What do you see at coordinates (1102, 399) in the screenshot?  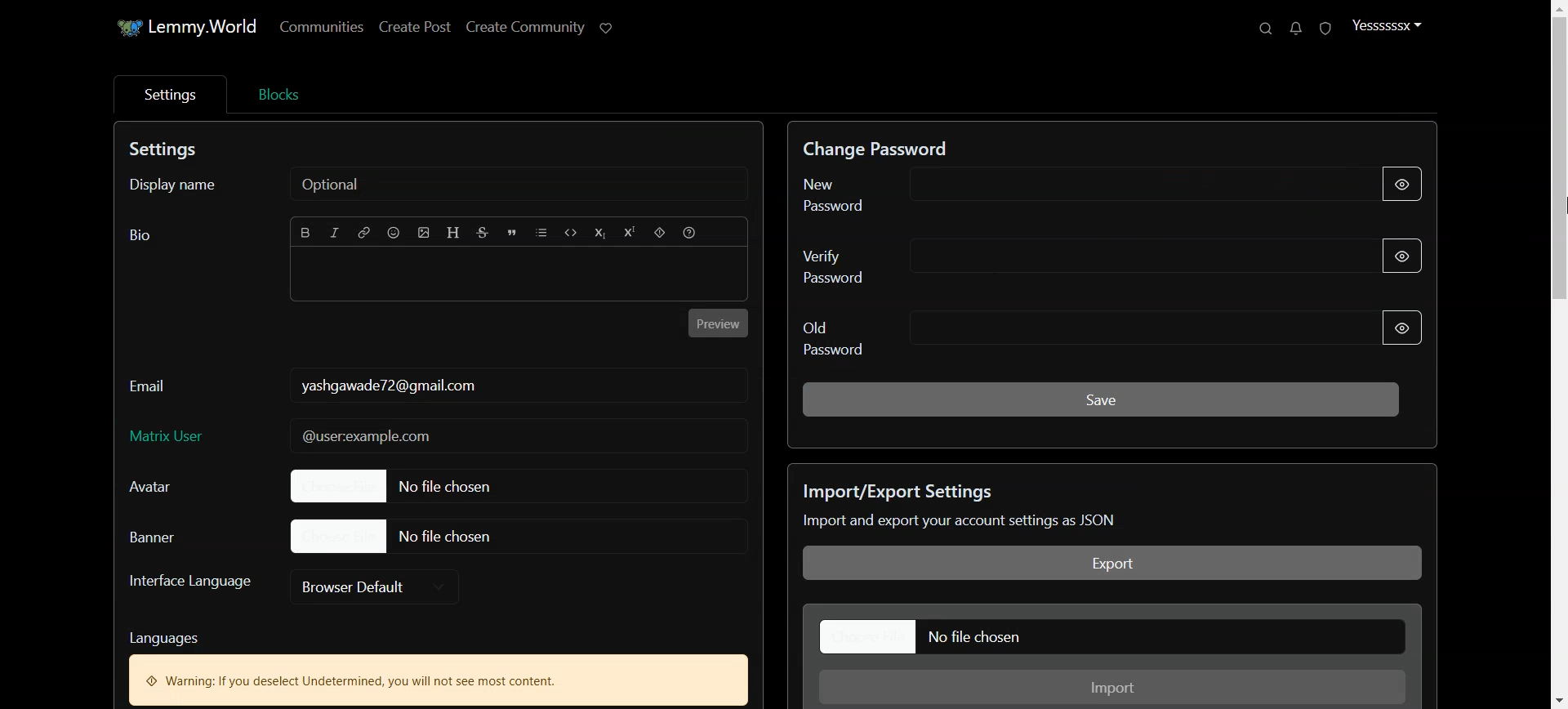 I see `Save` at bounding box center [1102, 399].